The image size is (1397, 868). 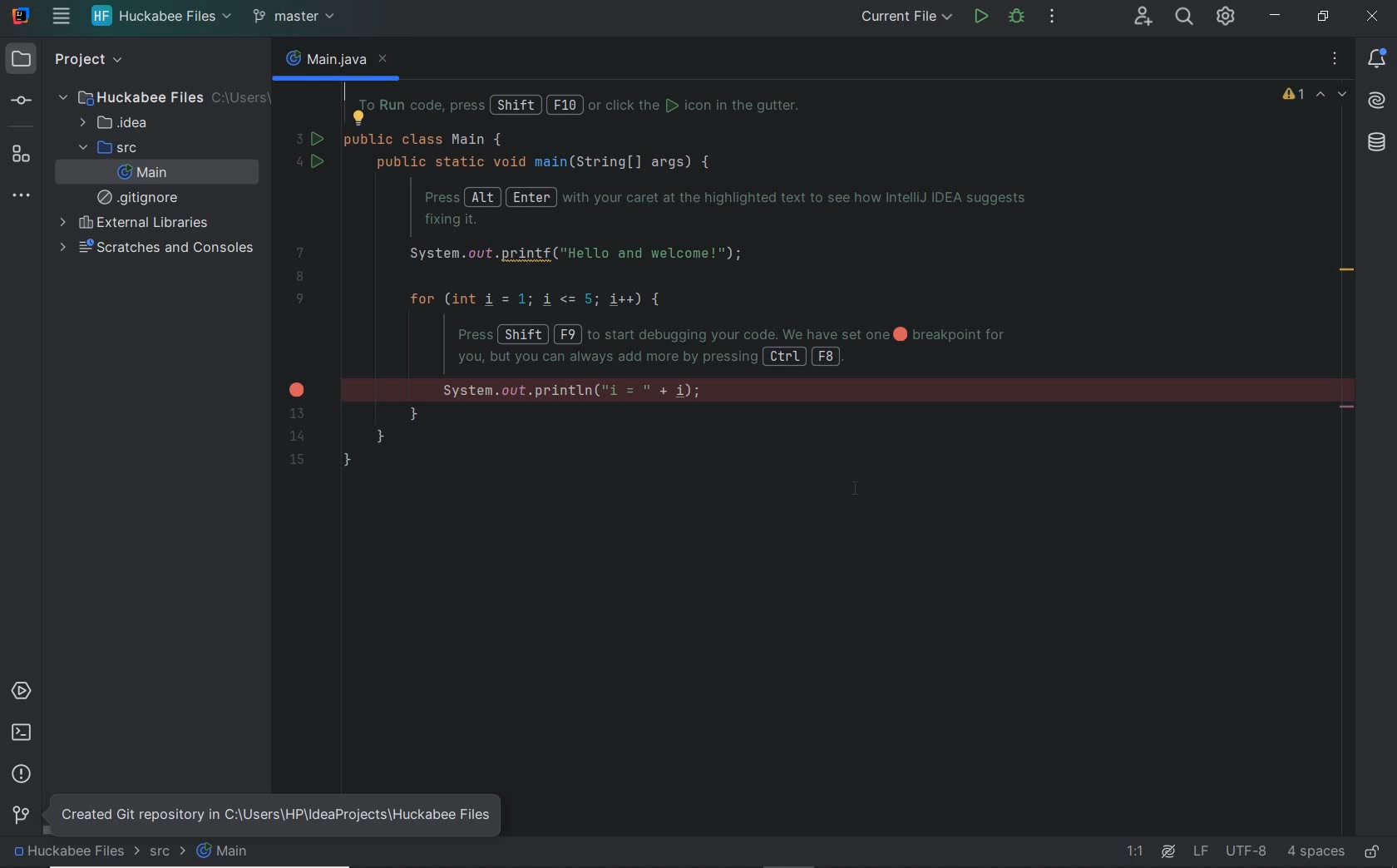 I want to click on notifications, so click(x=1380, y=60).